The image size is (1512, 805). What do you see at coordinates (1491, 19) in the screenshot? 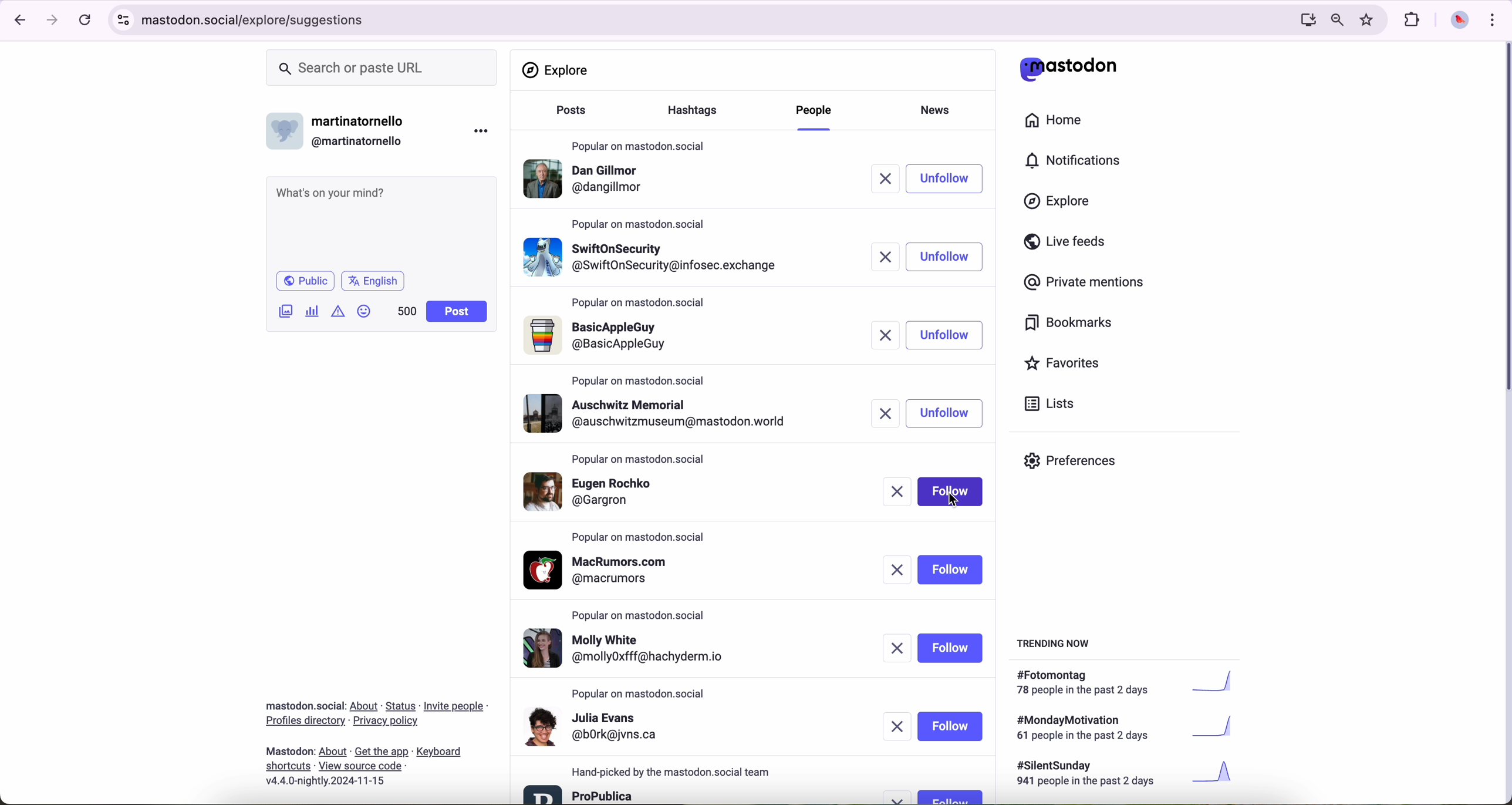
I see `customize and control Google Chrome` at bounding box center [1491, 19].